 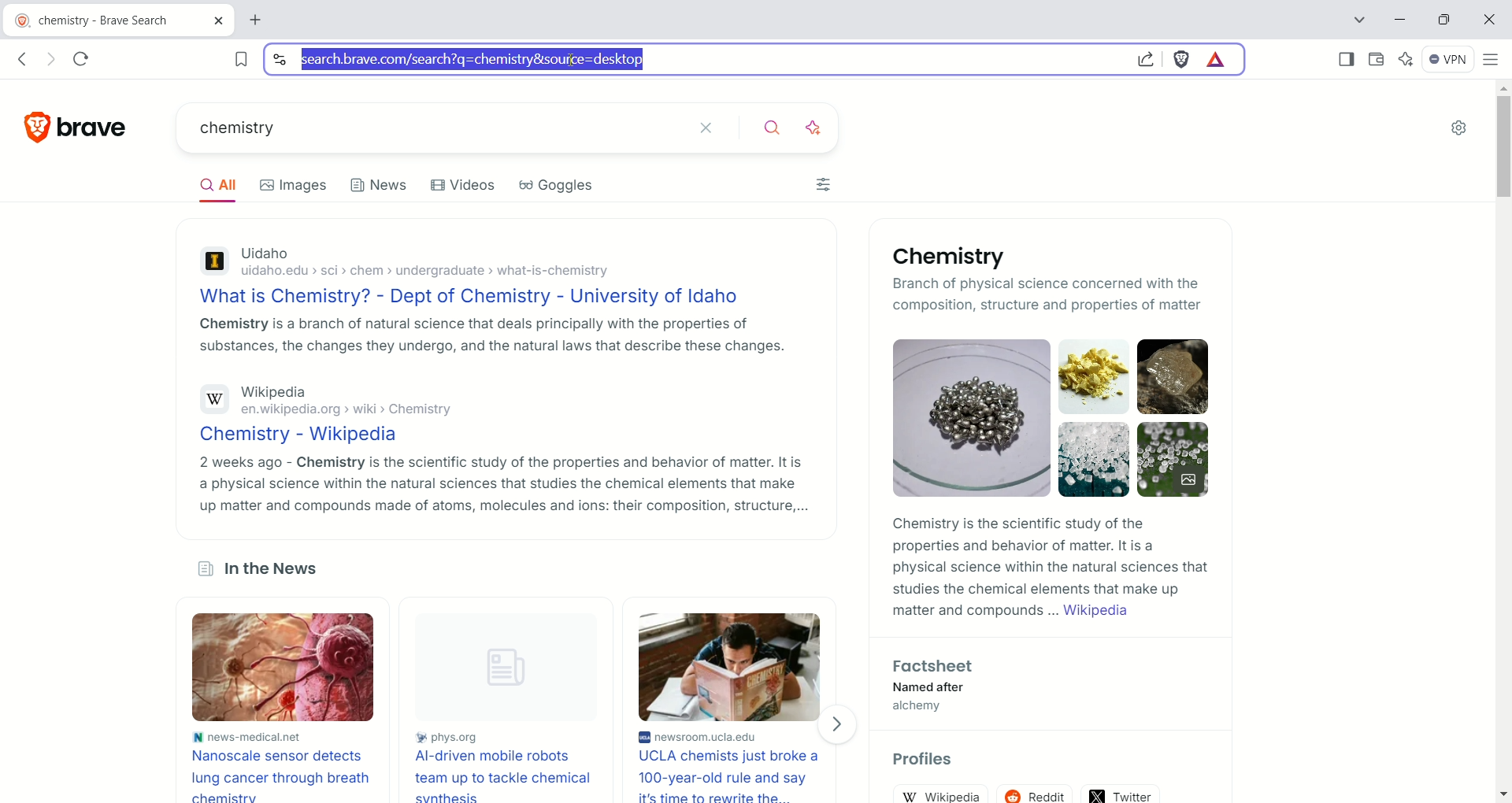 What do you see at coordinates (1494, 66) in the screenshot?
I see `customize and control Brave` at bounding box center [1494, 66].